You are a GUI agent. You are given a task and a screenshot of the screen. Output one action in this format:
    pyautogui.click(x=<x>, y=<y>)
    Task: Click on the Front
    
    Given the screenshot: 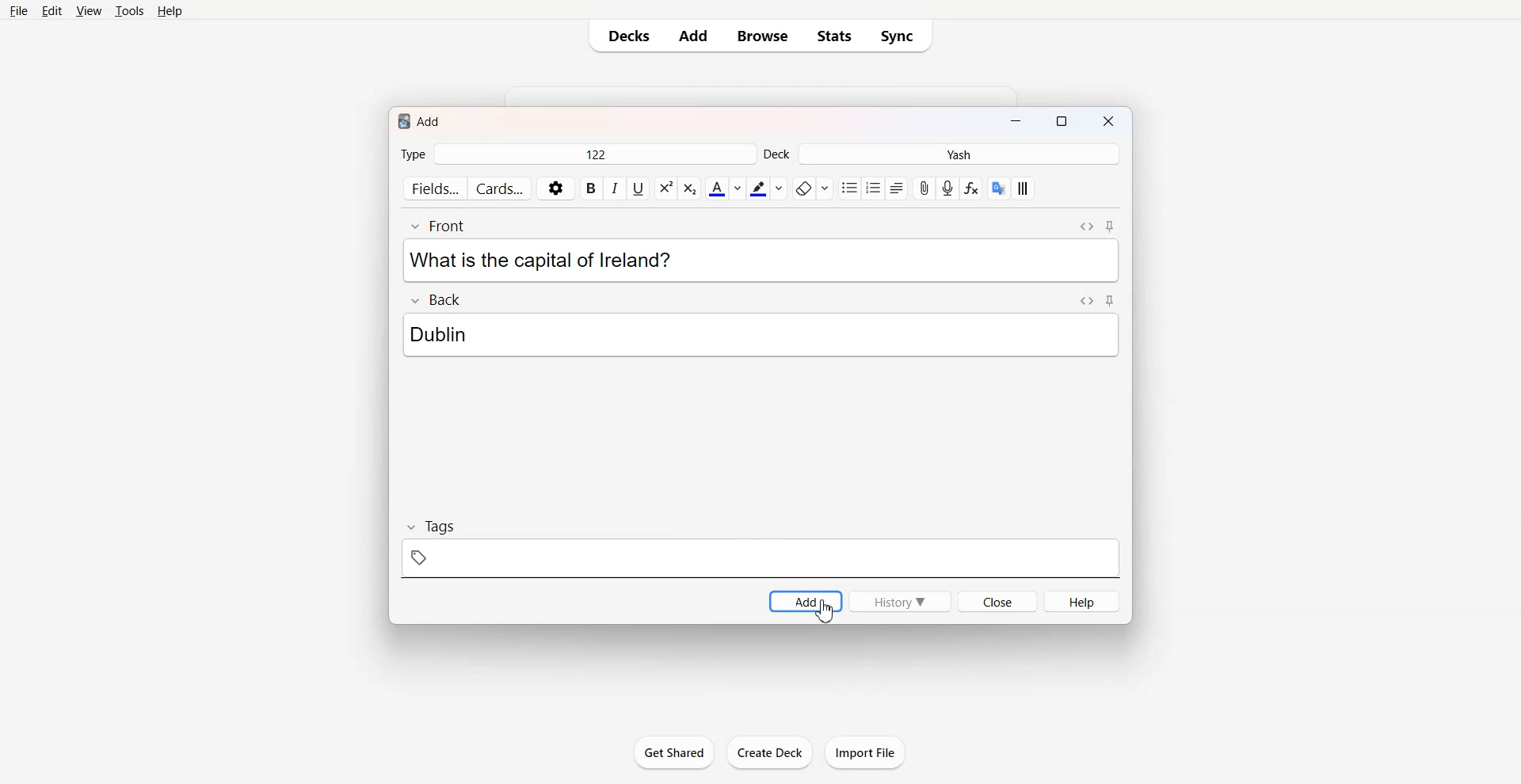 What is the action you would take?
    pyautogui.click(x=443, y=226)
    